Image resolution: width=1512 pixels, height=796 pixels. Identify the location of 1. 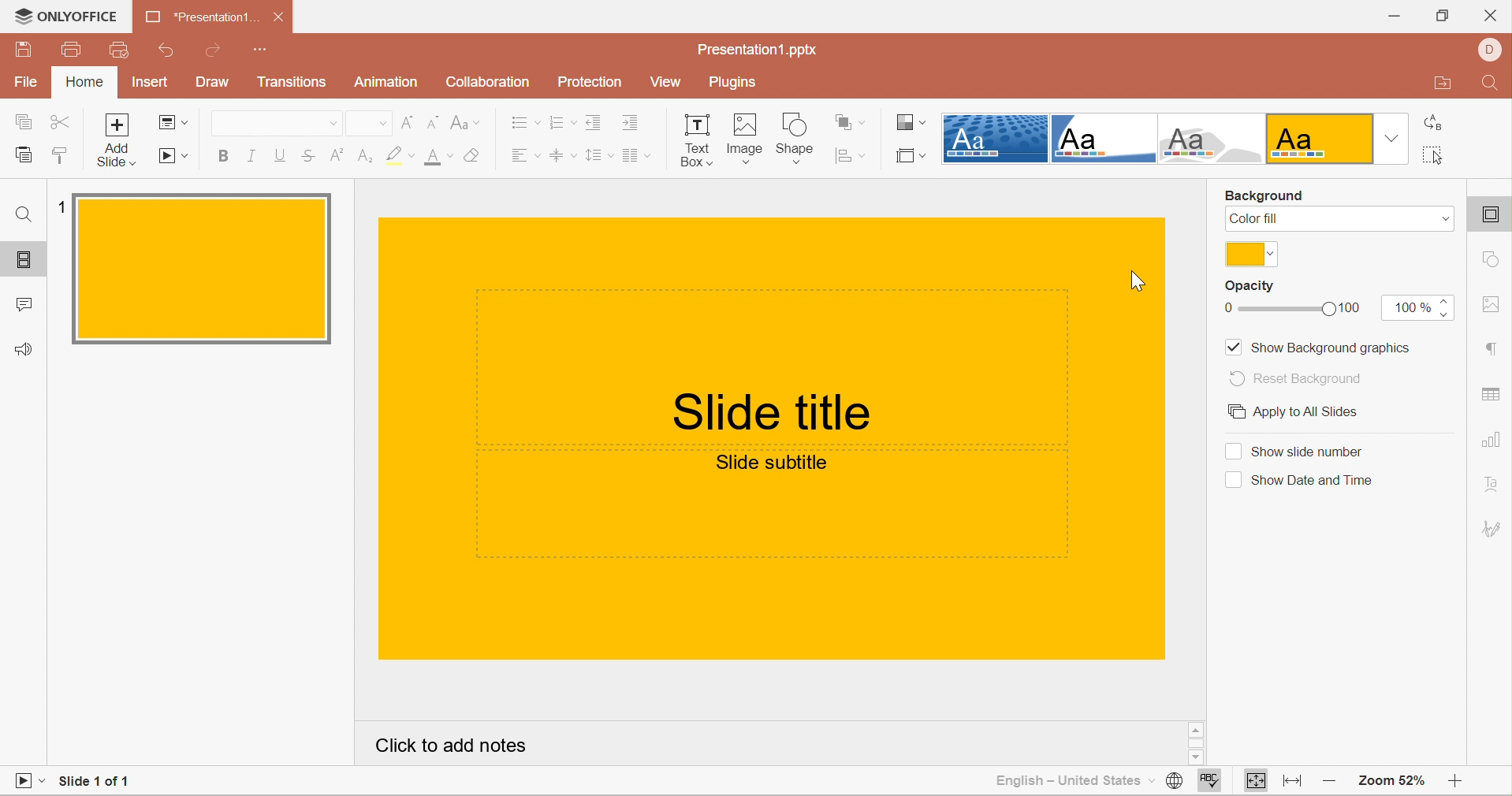
(63, 205).